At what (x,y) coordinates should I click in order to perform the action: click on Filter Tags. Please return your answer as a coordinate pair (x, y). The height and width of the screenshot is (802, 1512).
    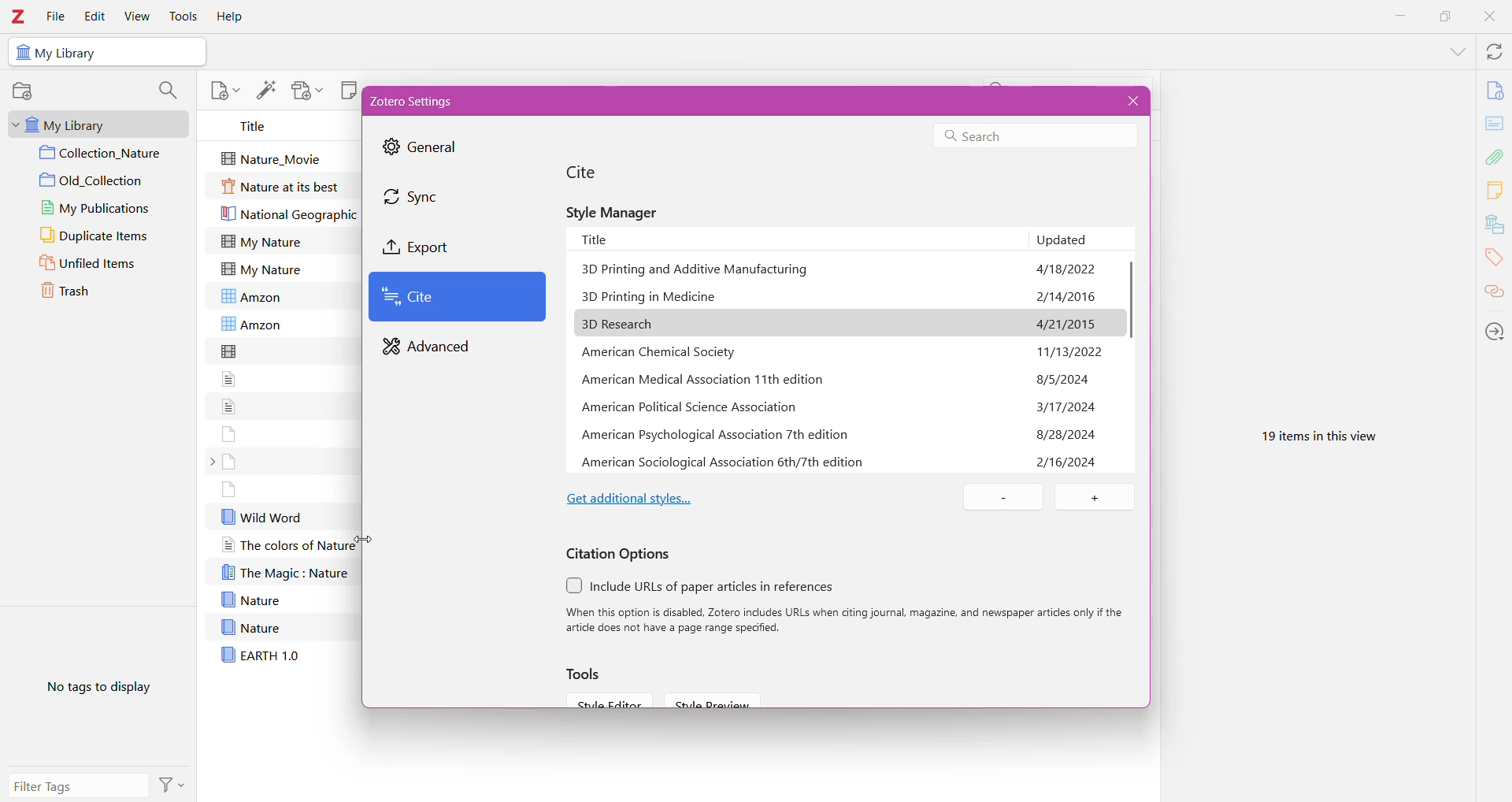
    Looking at the image, I should click on (80, 786).